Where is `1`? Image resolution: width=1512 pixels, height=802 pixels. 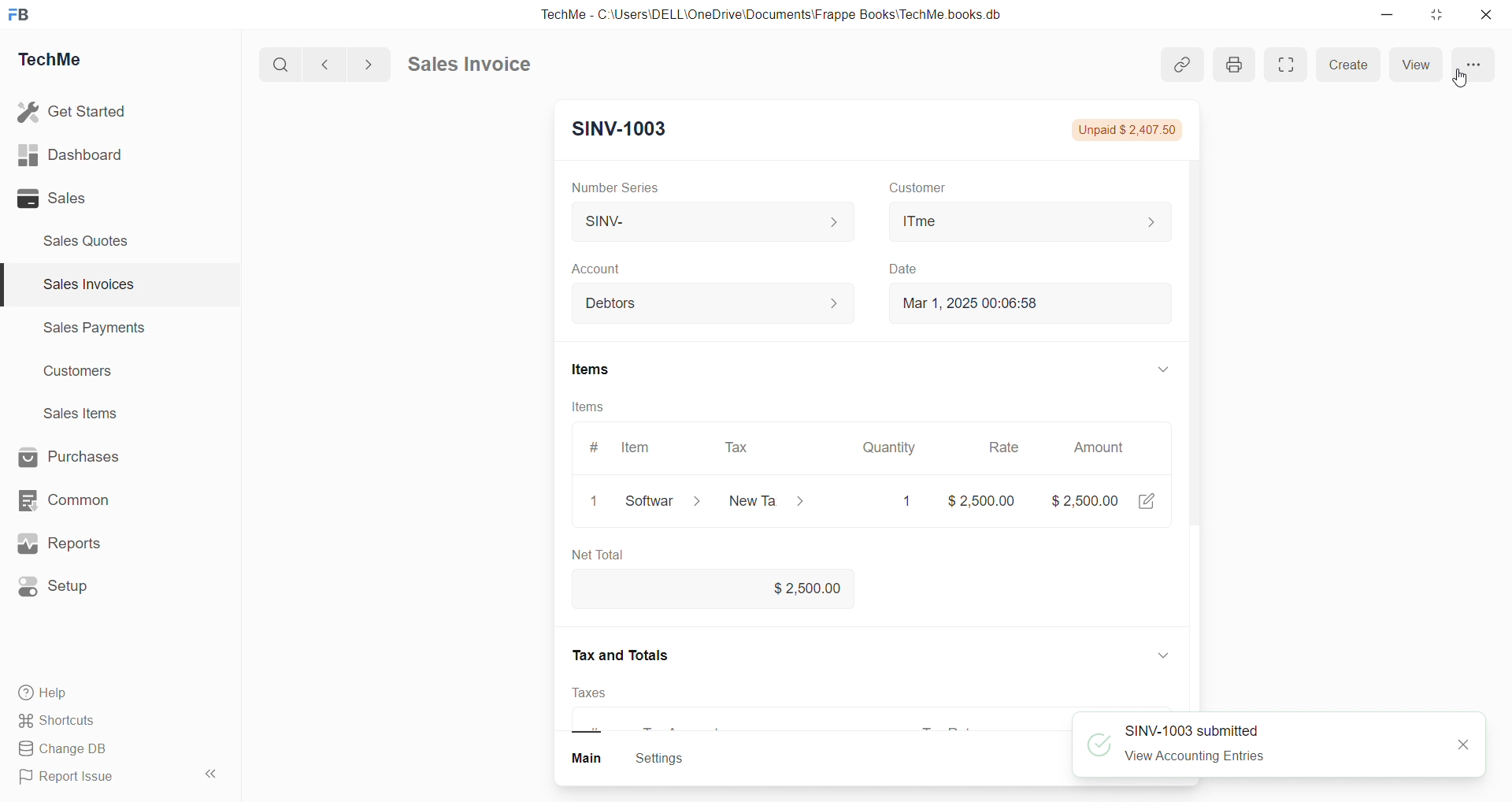
1 is located at coordinates (597, 503).